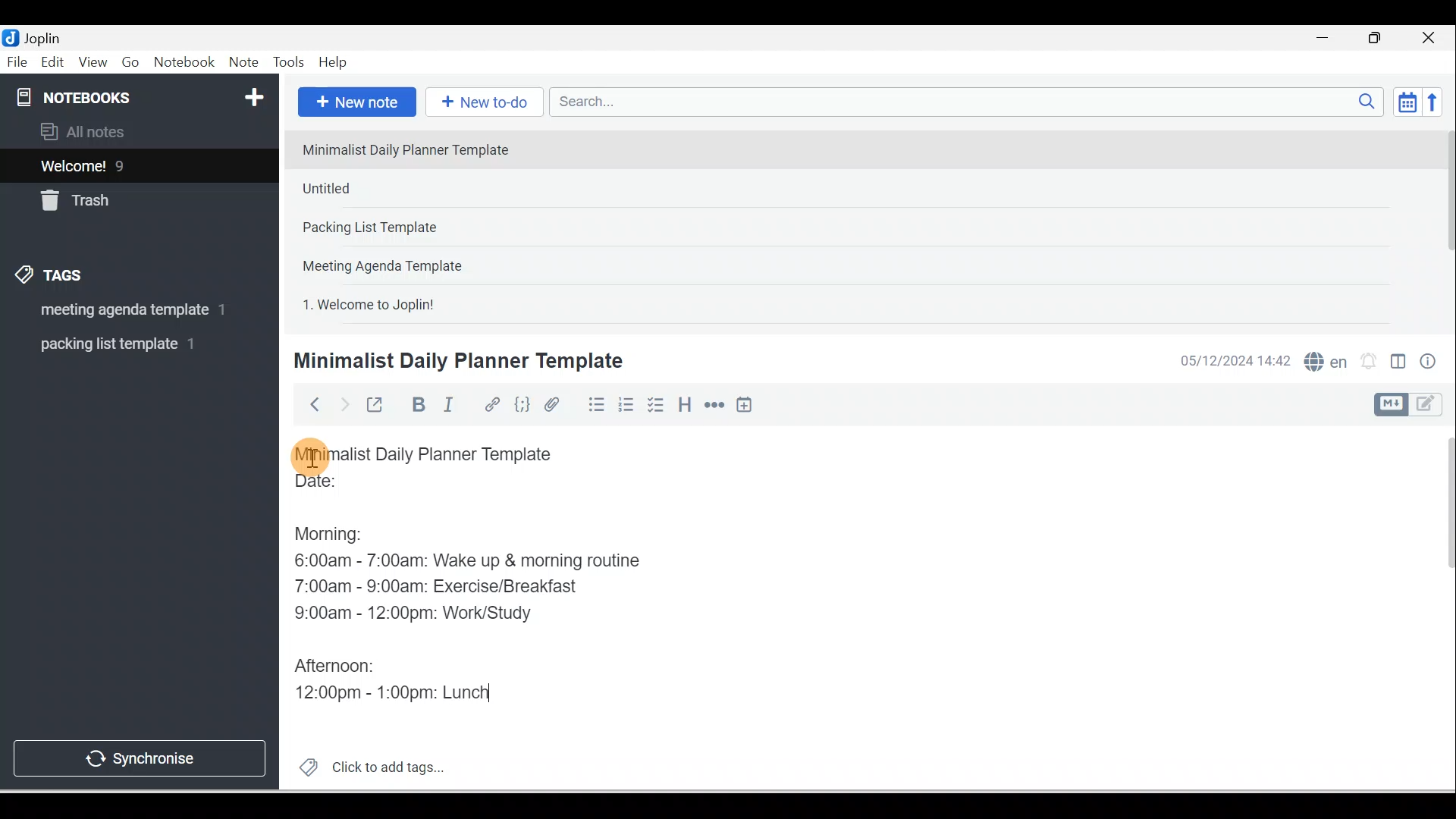 The image size is (1456, 819). I want to click on Trash, so click(111, 196).